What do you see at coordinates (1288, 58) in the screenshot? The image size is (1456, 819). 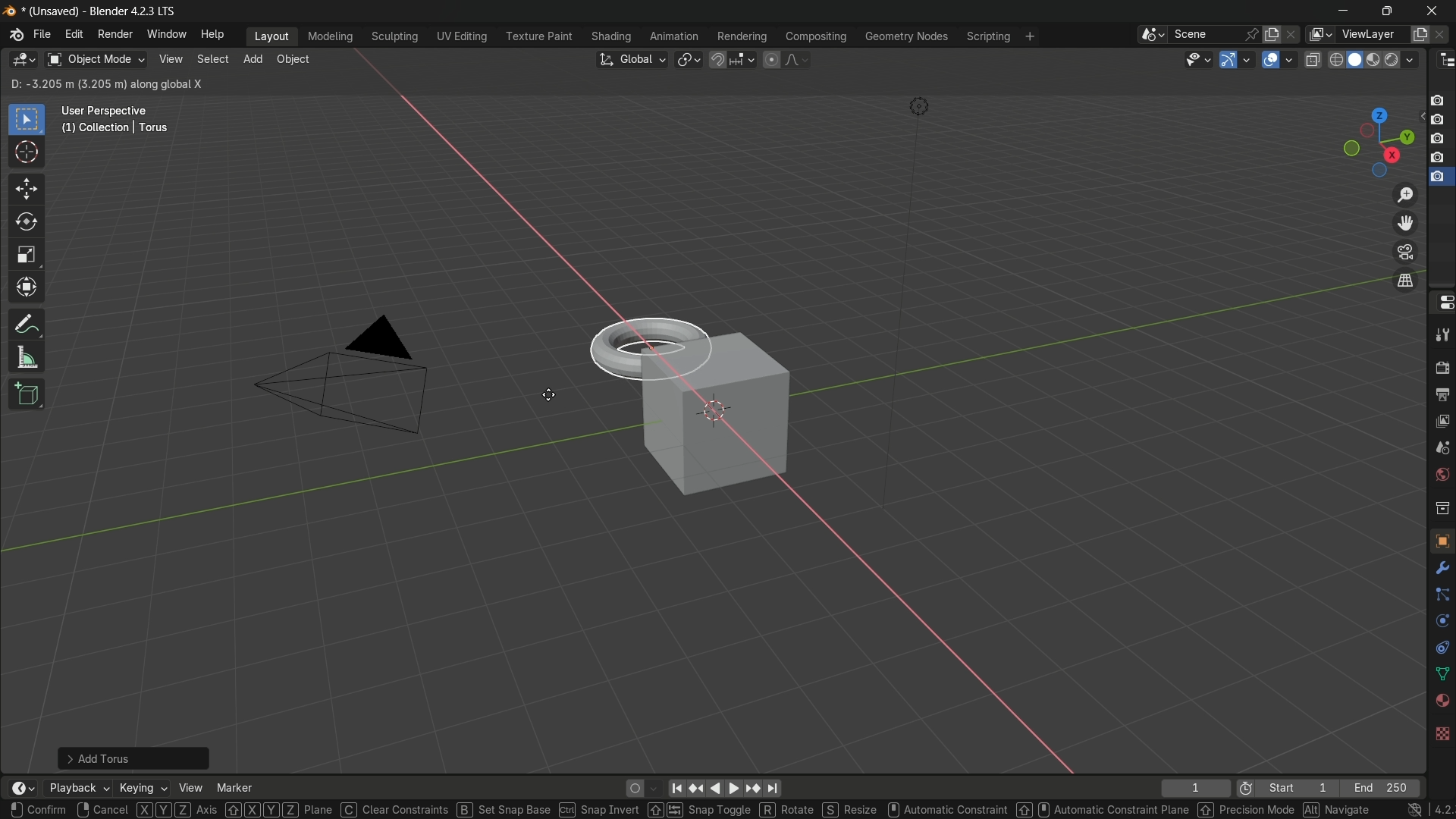 I see `overlays` at bounding box center [1288, 58].